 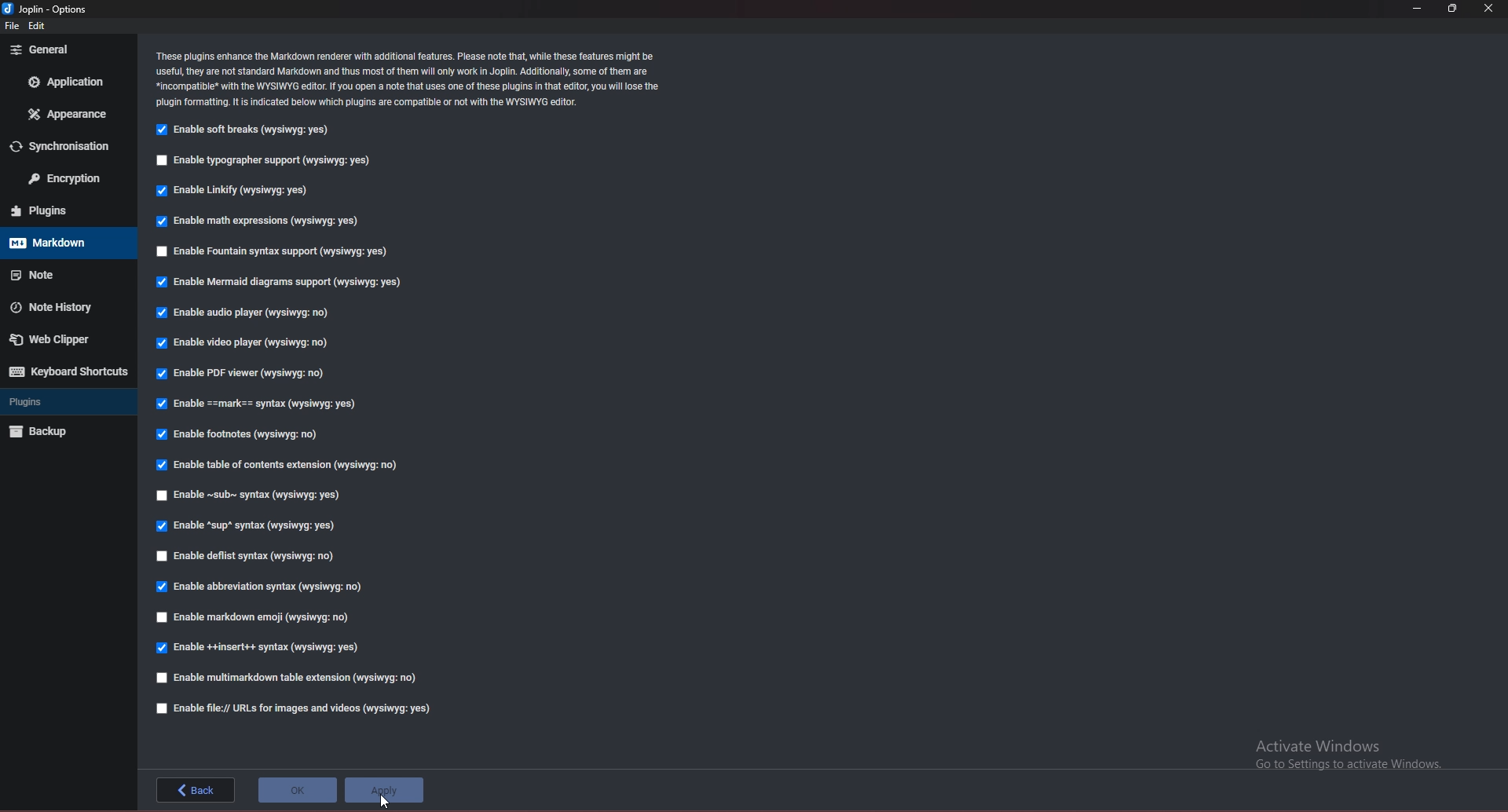 I want to click on enable pdf viewer, so click(x=246, y=372).